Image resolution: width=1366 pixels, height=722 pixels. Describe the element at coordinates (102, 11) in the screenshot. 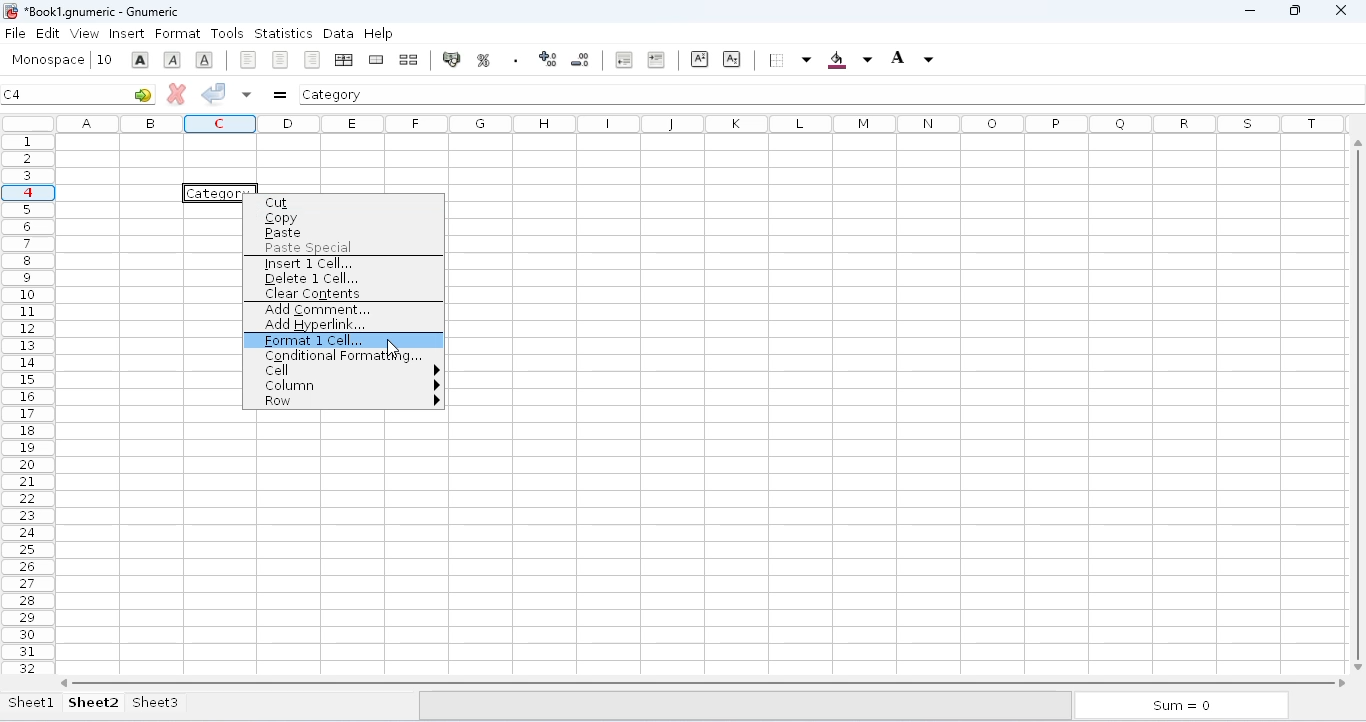

I see `title` at that location.